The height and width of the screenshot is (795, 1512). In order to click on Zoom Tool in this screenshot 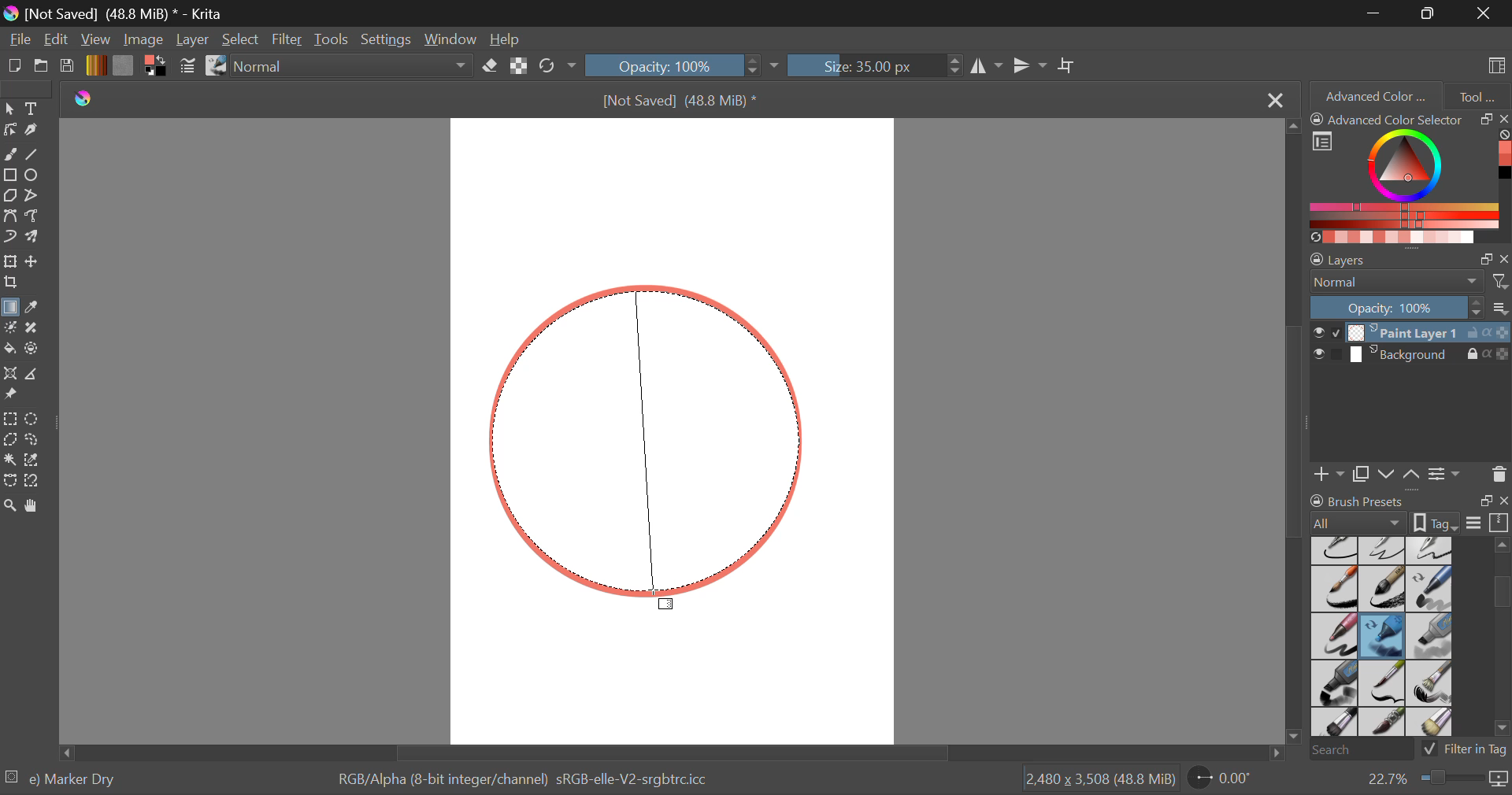, I will do `click(10, 505)`.